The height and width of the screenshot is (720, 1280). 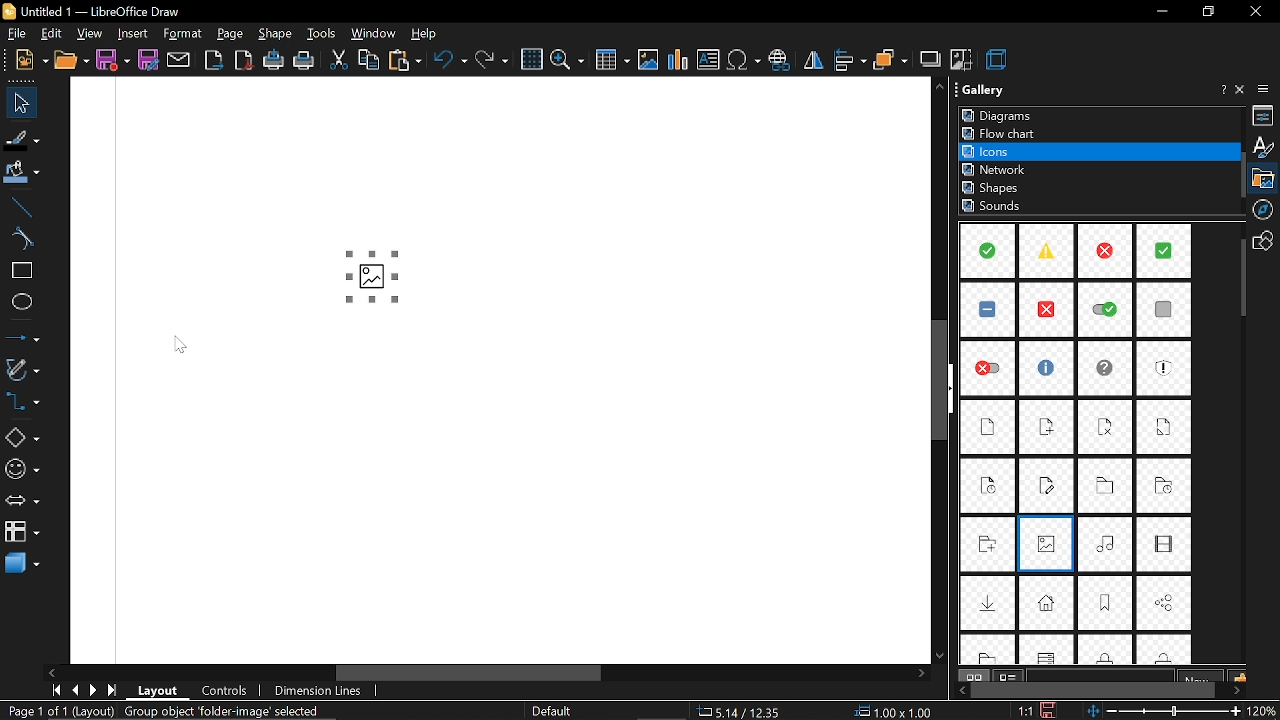 What do you see at coordinates (93, 691) in the screenshot?
I see `next page` at bounding box center [93, 691].